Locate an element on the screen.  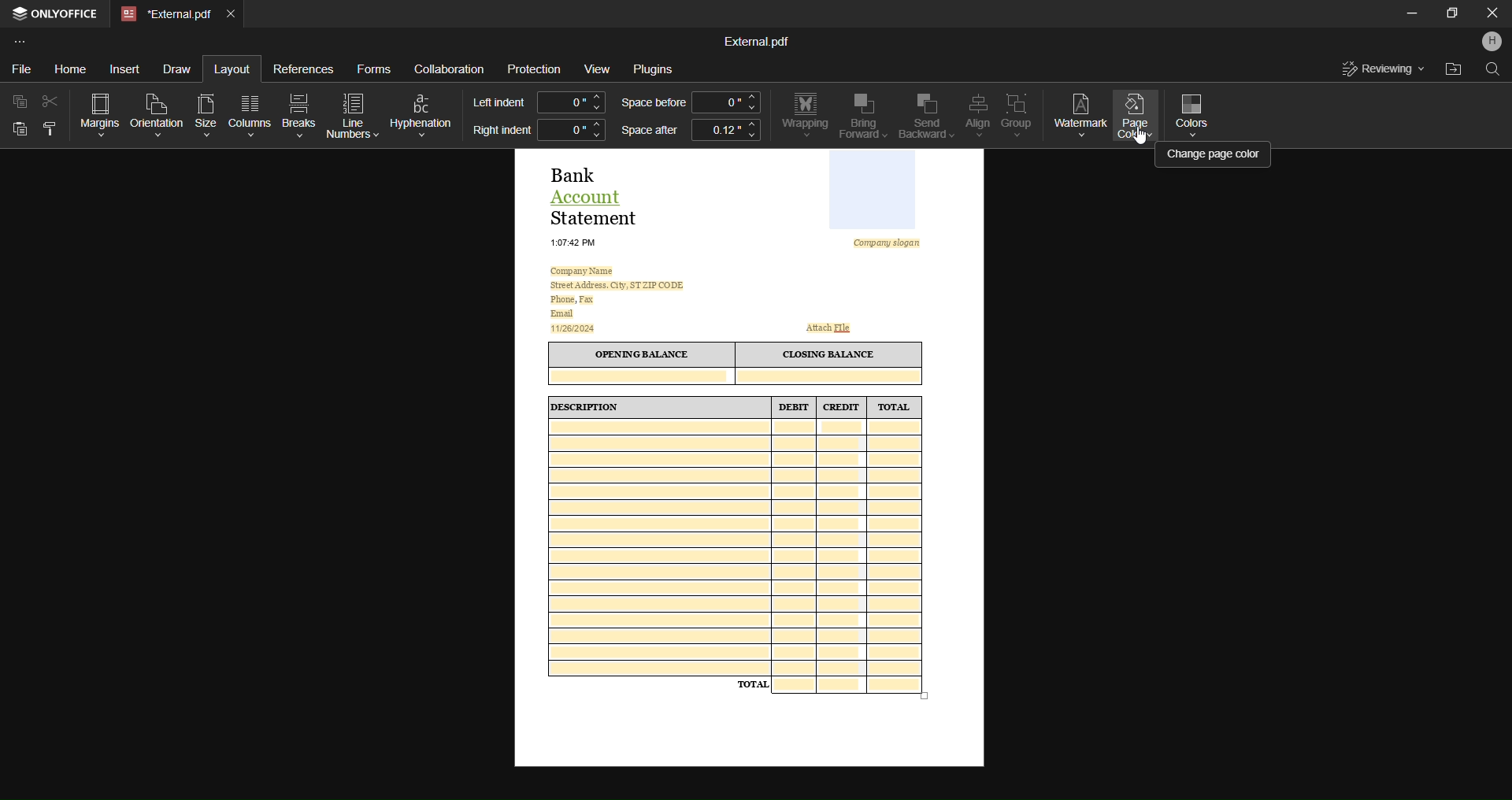
Wrapping is located at coordinates (804, 116).